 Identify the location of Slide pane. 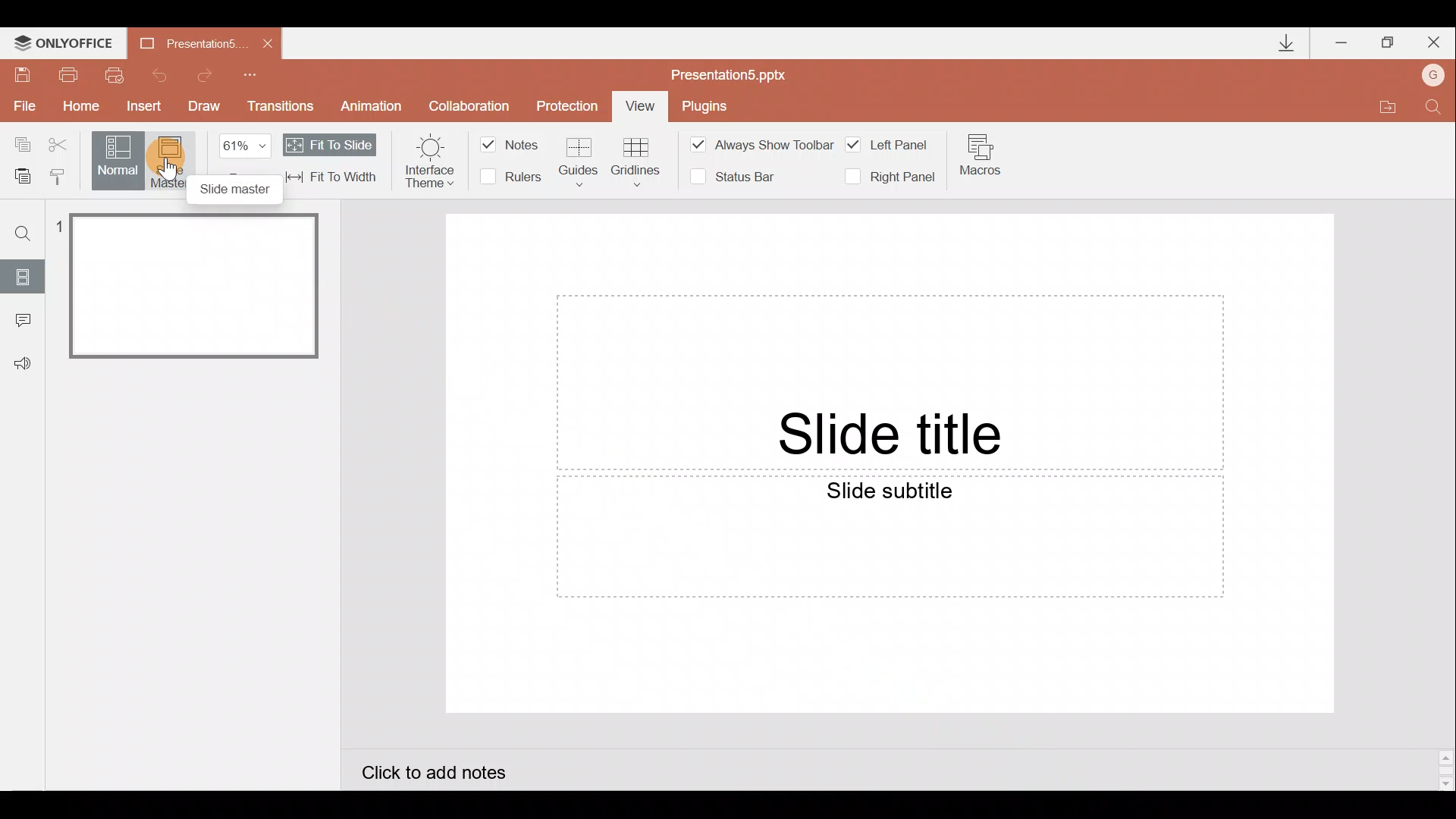
(190, 488).